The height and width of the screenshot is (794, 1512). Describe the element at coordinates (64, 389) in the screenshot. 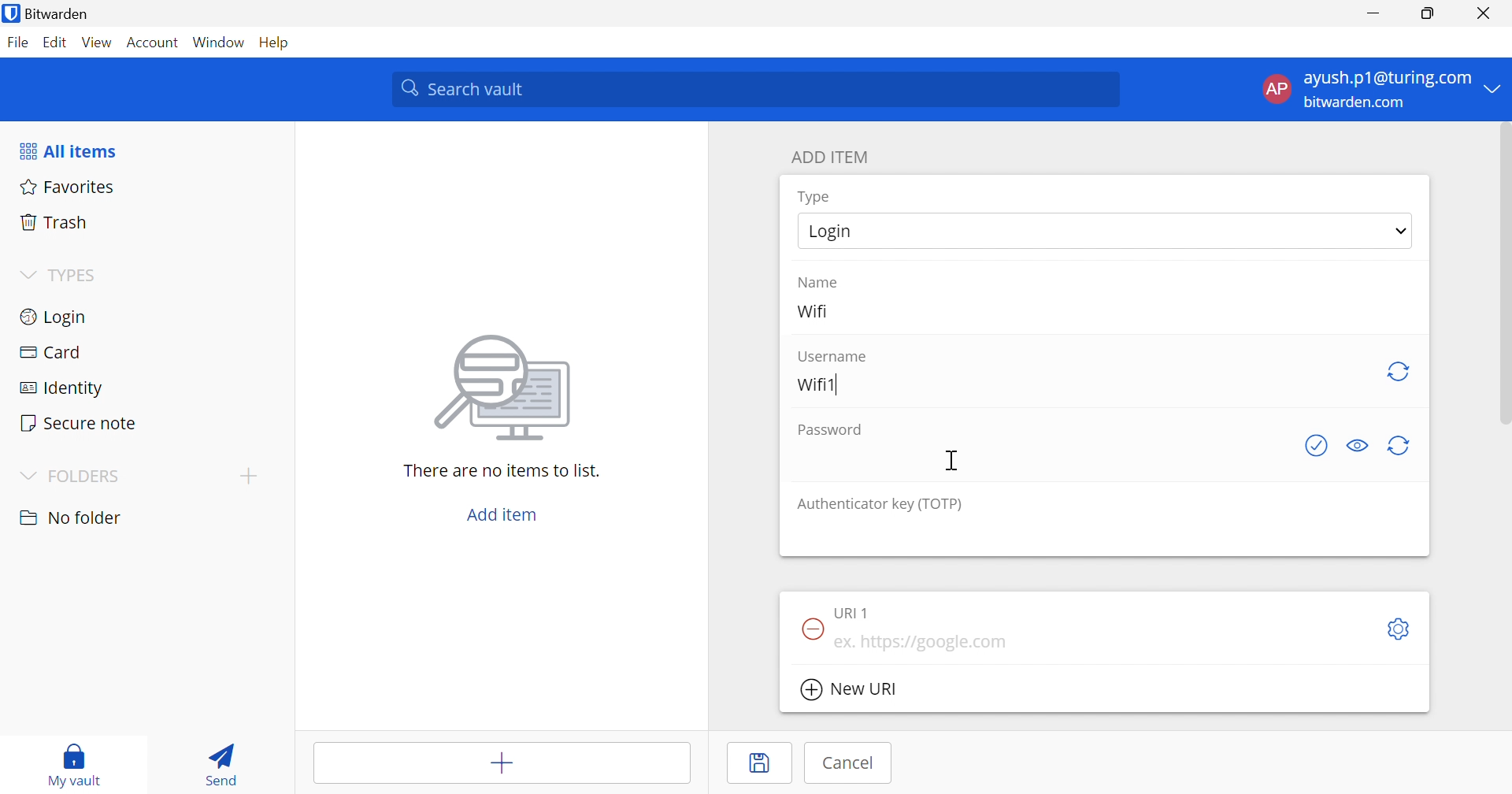

I see `Identity` at that location.